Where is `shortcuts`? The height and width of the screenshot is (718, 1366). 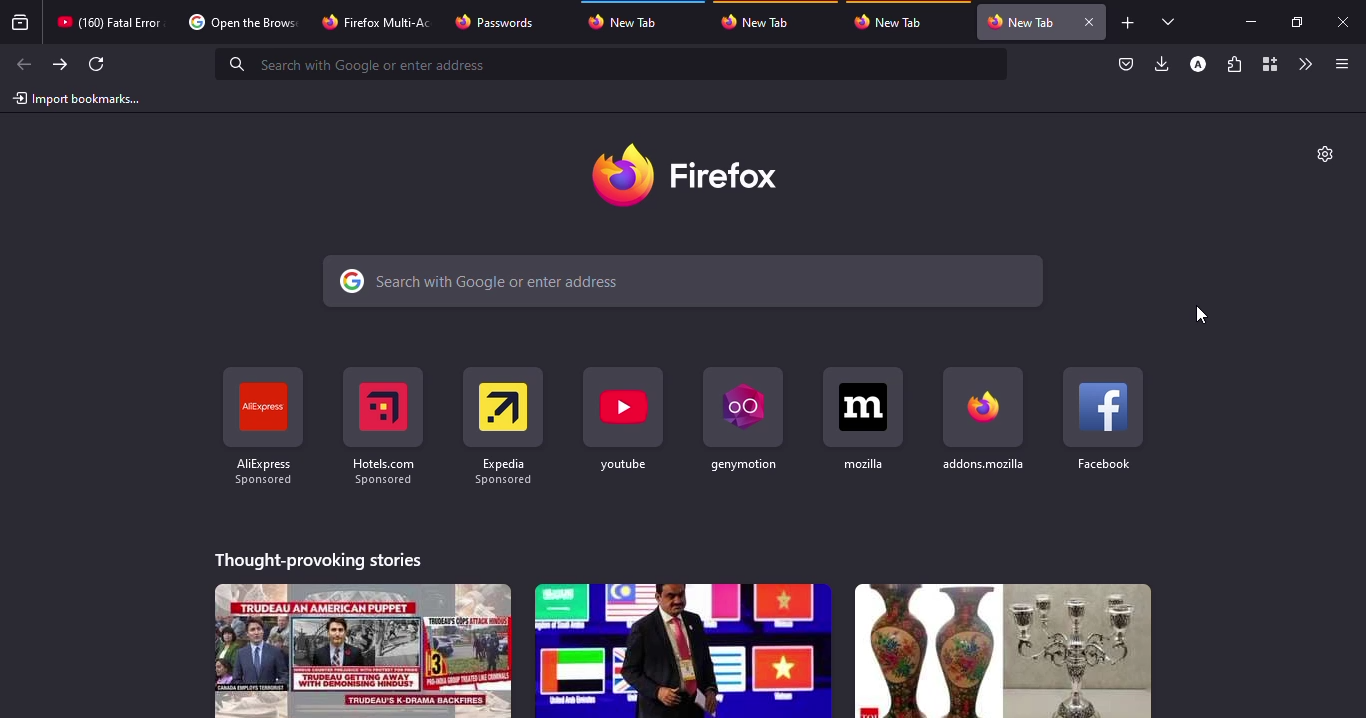 shortcuts is located at coordinates (742, 421).